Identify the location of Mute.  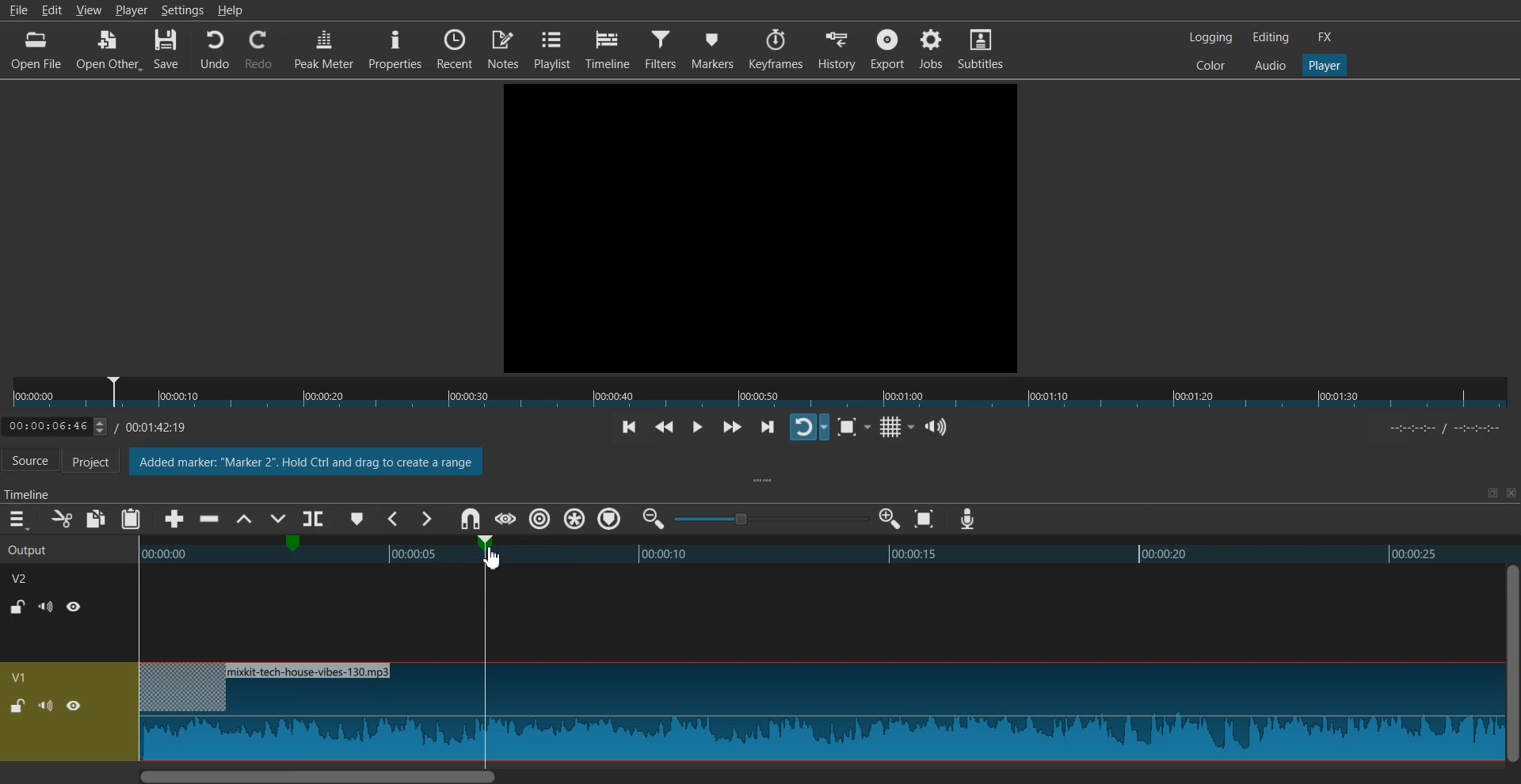
(46, 607).